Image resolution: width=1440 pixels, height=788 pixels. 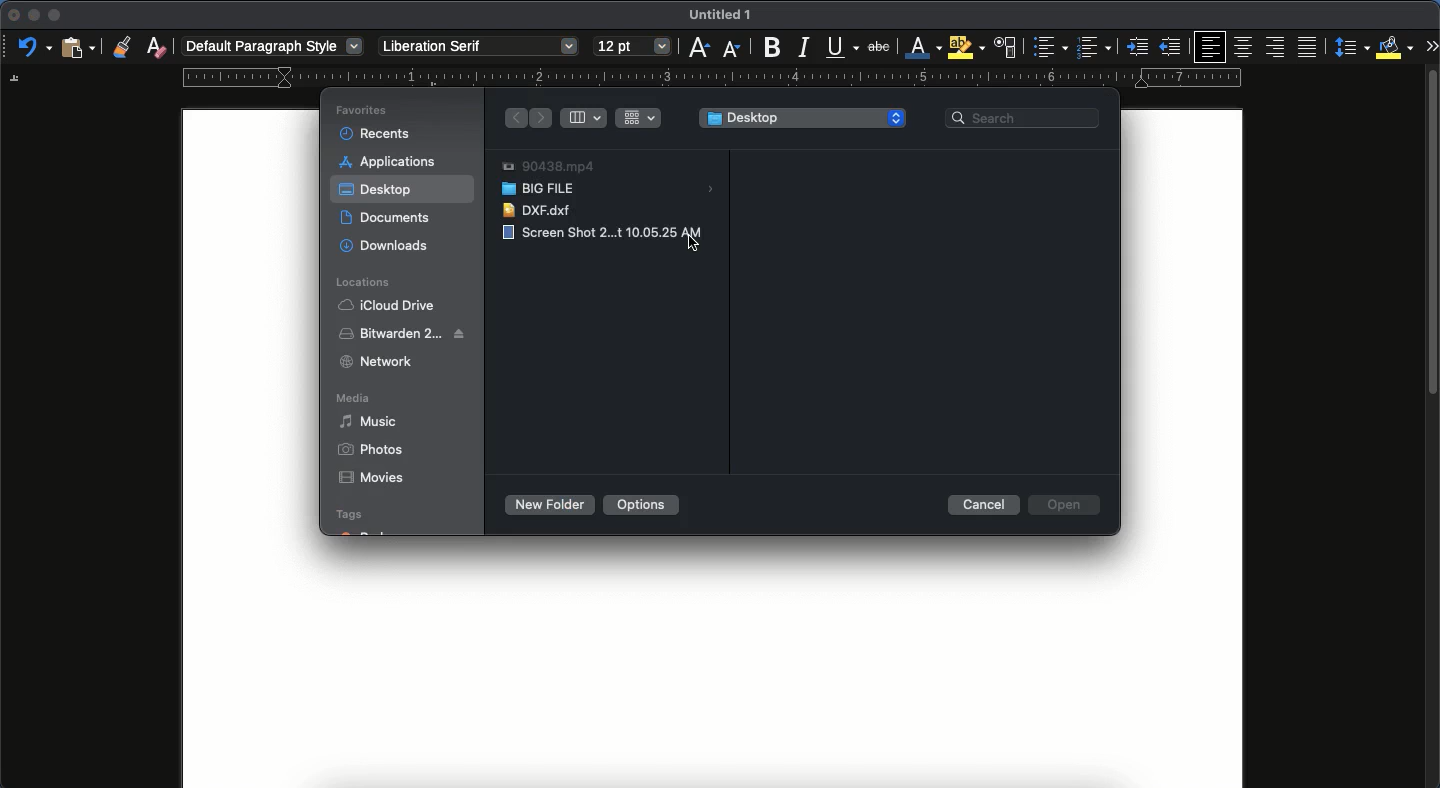 What do you see at coordinates (377, 131) in the screenshot?
I see `recents` at bounding box center [377, 131].